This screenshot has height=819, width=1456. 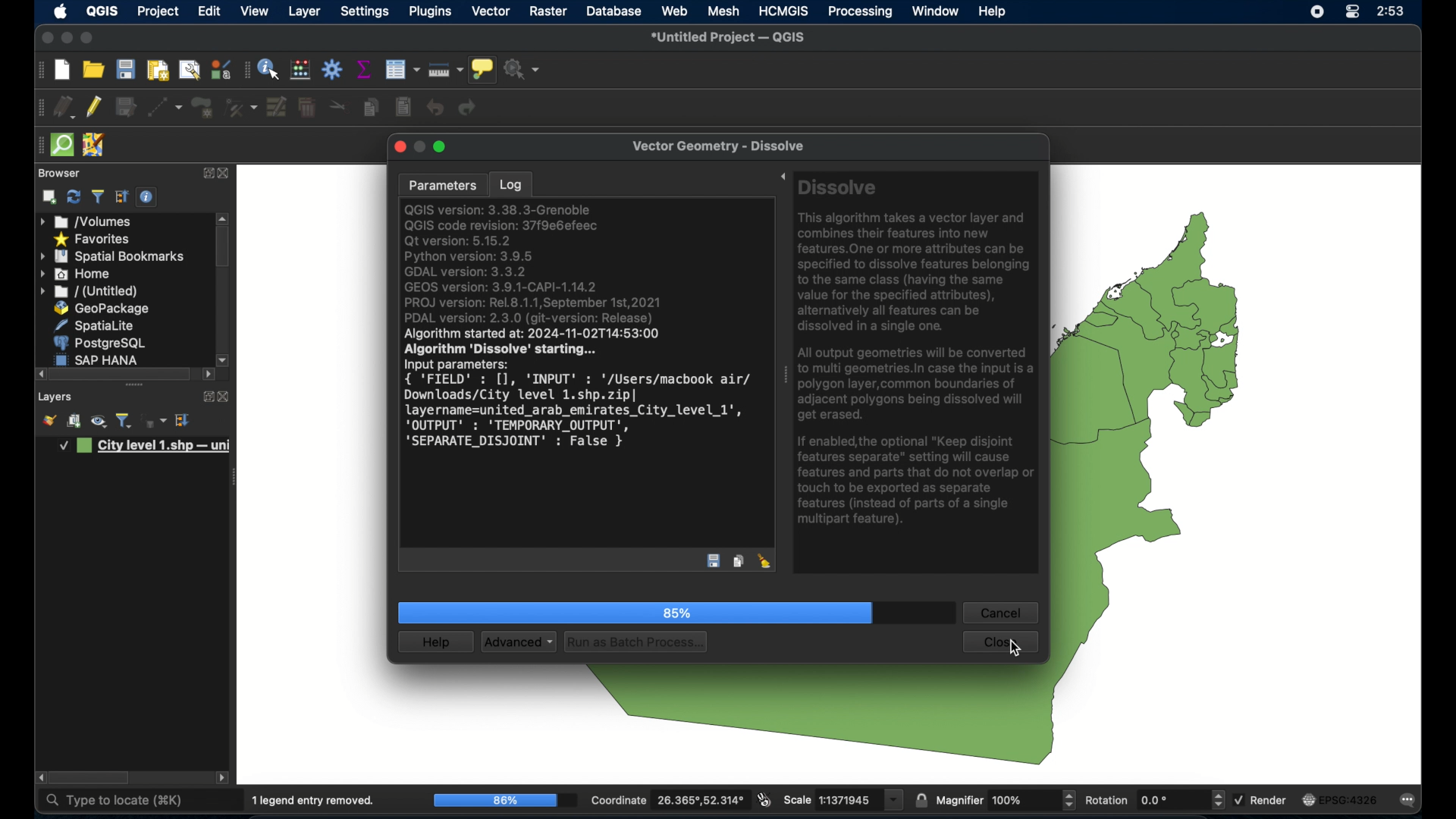 What do you see at coordinates (77, 274) in the screenshot?
I see `home` at bounding box center [77, 274].